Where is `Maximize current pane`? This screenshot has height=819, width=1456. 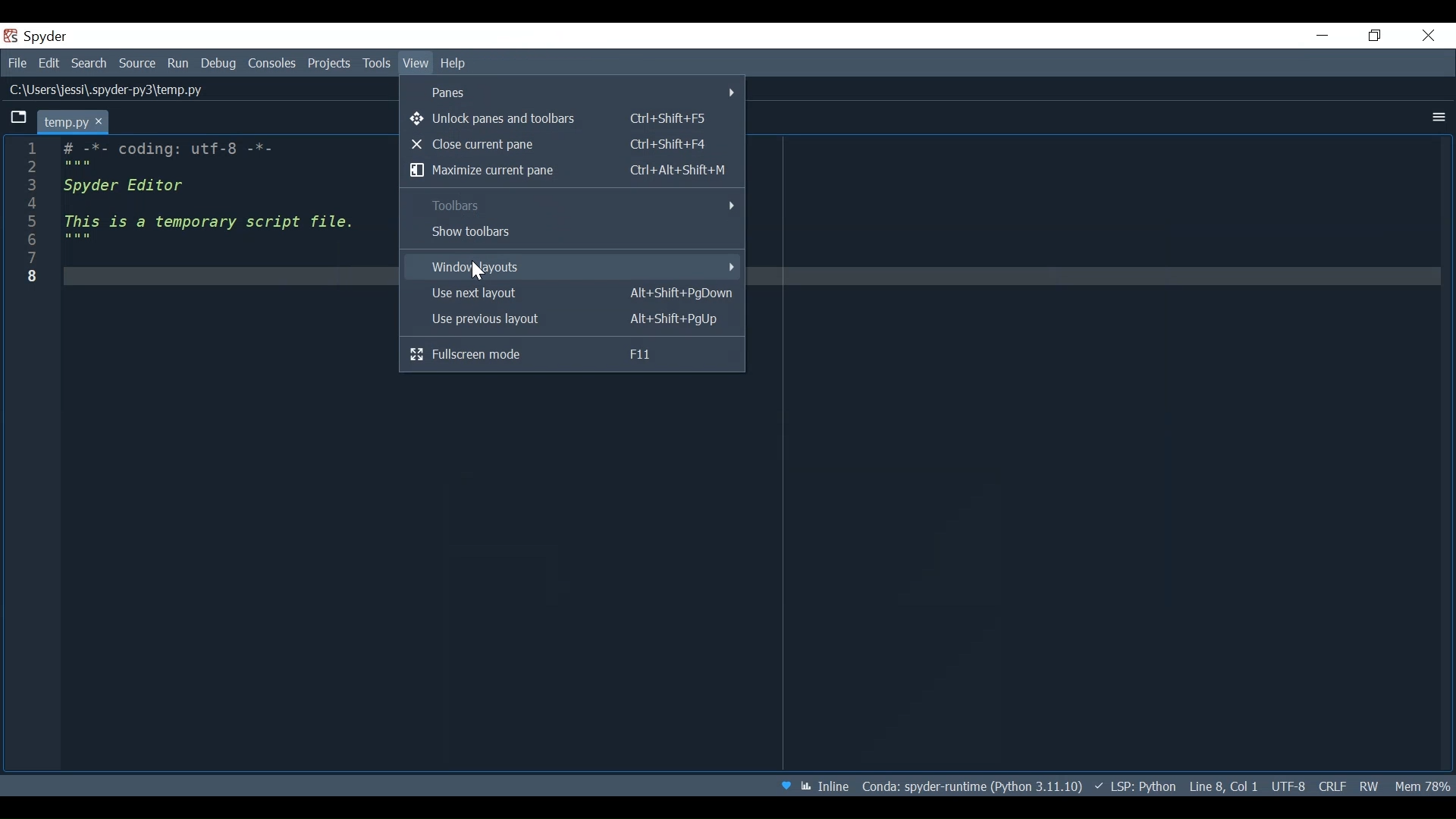 Maximize current pane is located at coordinates (573, 171).